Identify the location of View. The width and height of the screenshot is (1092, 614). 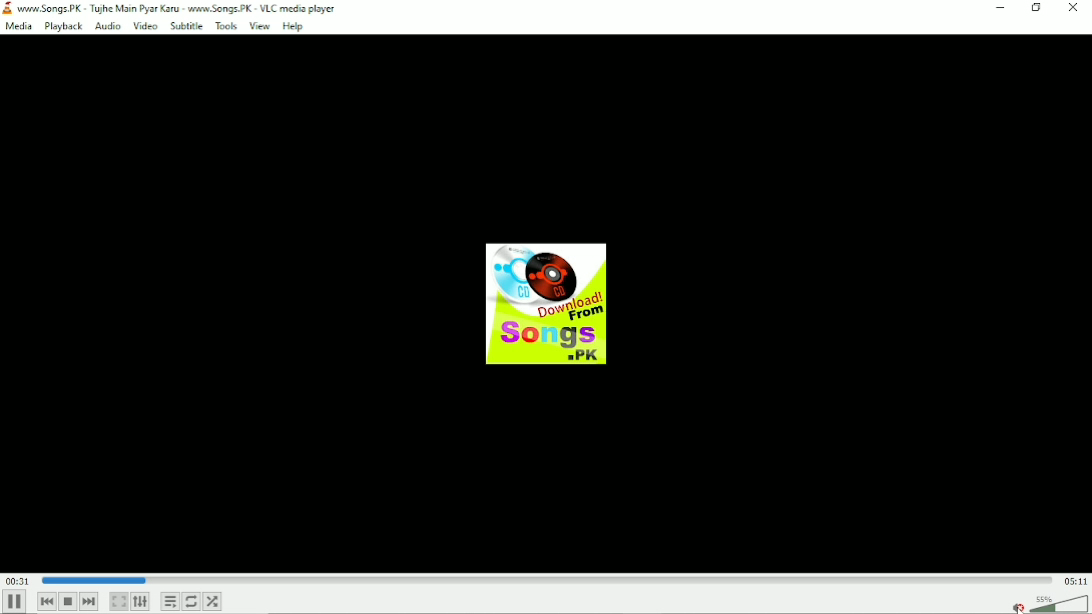
(259, 26).